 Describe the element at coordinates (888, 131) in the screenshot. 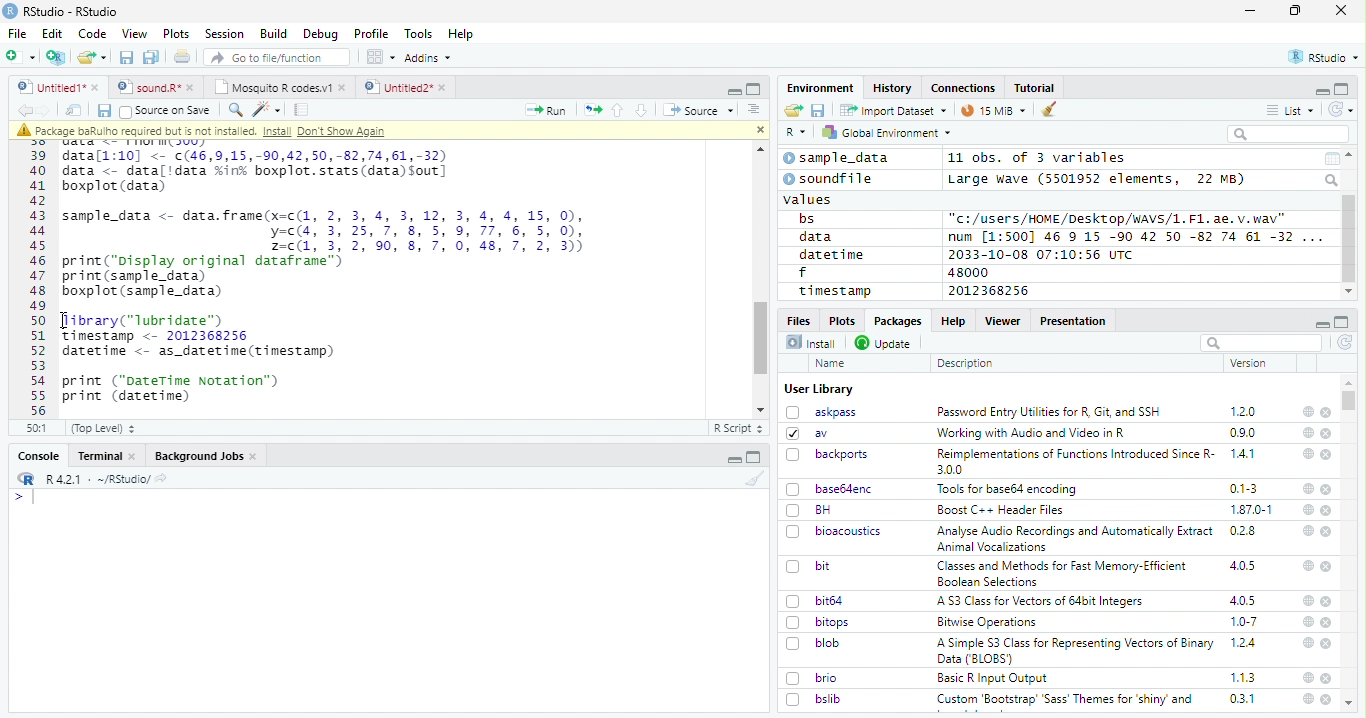

I see `Global Environment` at that location.